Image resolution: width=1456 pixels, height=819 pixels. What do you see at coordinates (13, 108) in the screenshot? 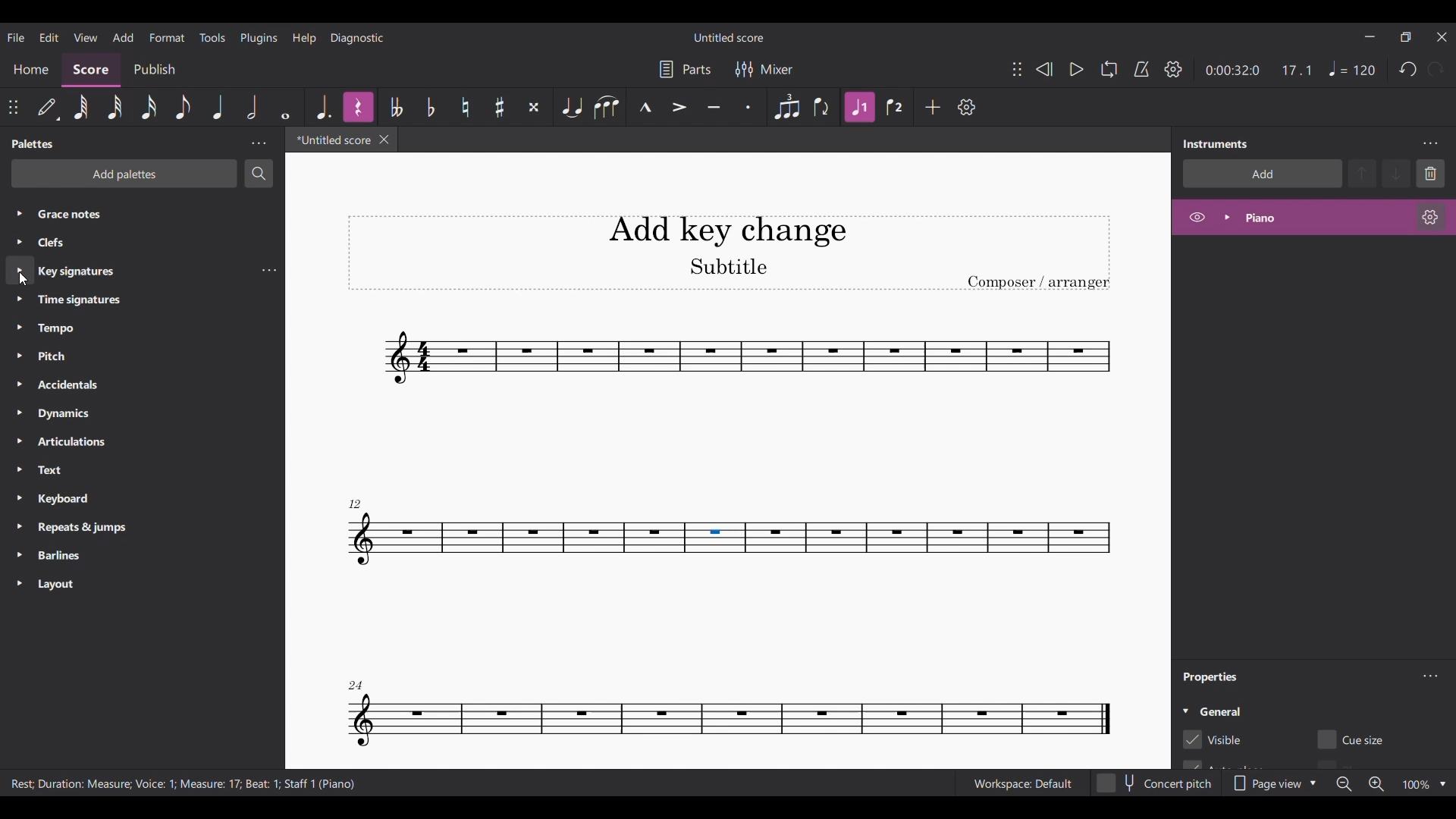
I see `Move toolbar attached` at bounding box center [13, 108].